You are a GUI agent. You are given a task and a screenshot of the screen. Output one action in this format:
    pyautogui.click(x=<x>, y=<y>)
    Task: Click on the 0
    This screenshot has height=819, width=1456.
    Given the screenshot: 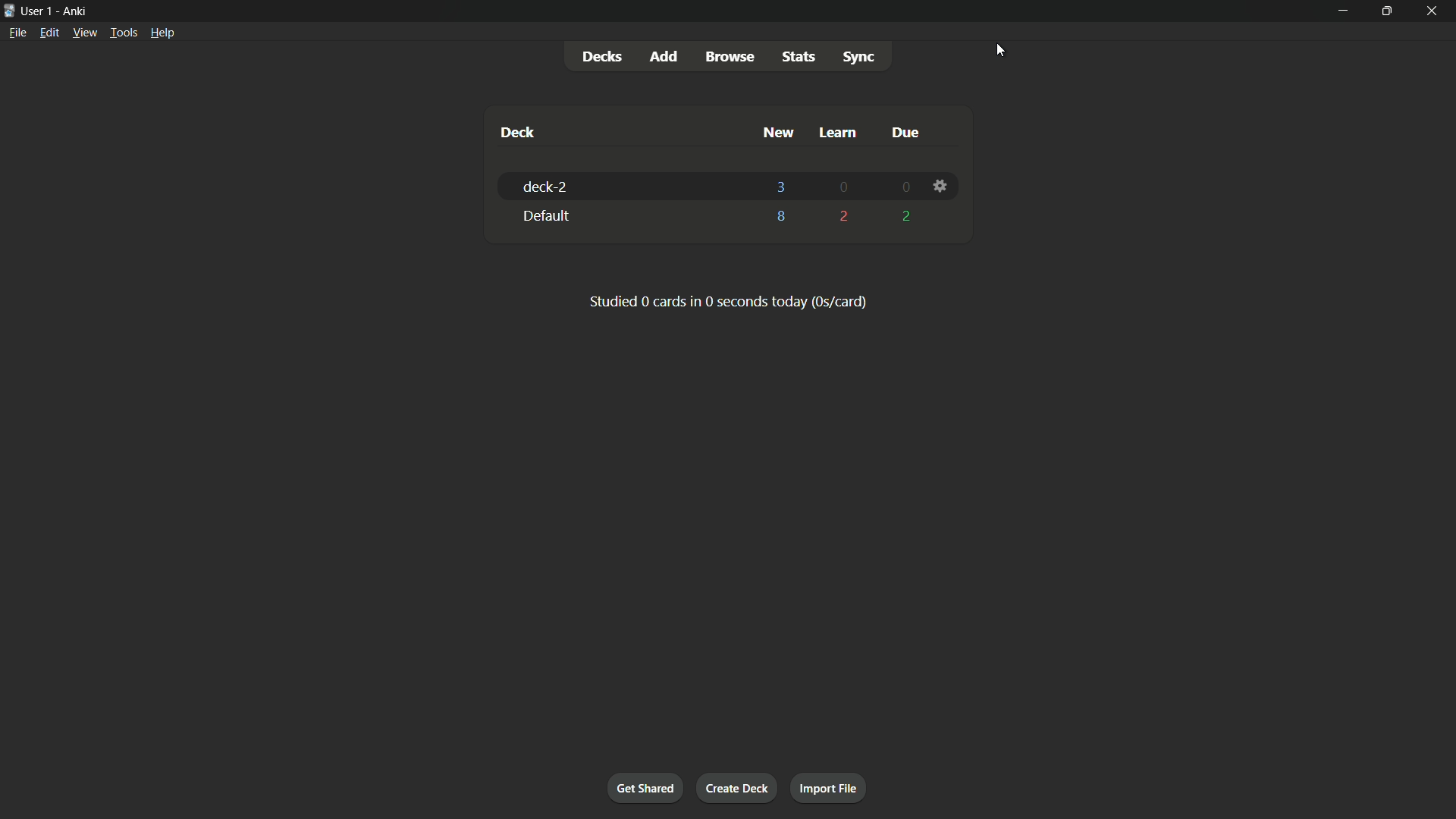 What is the action you would take?
    pyautogui.click(x=843, y=188)
    